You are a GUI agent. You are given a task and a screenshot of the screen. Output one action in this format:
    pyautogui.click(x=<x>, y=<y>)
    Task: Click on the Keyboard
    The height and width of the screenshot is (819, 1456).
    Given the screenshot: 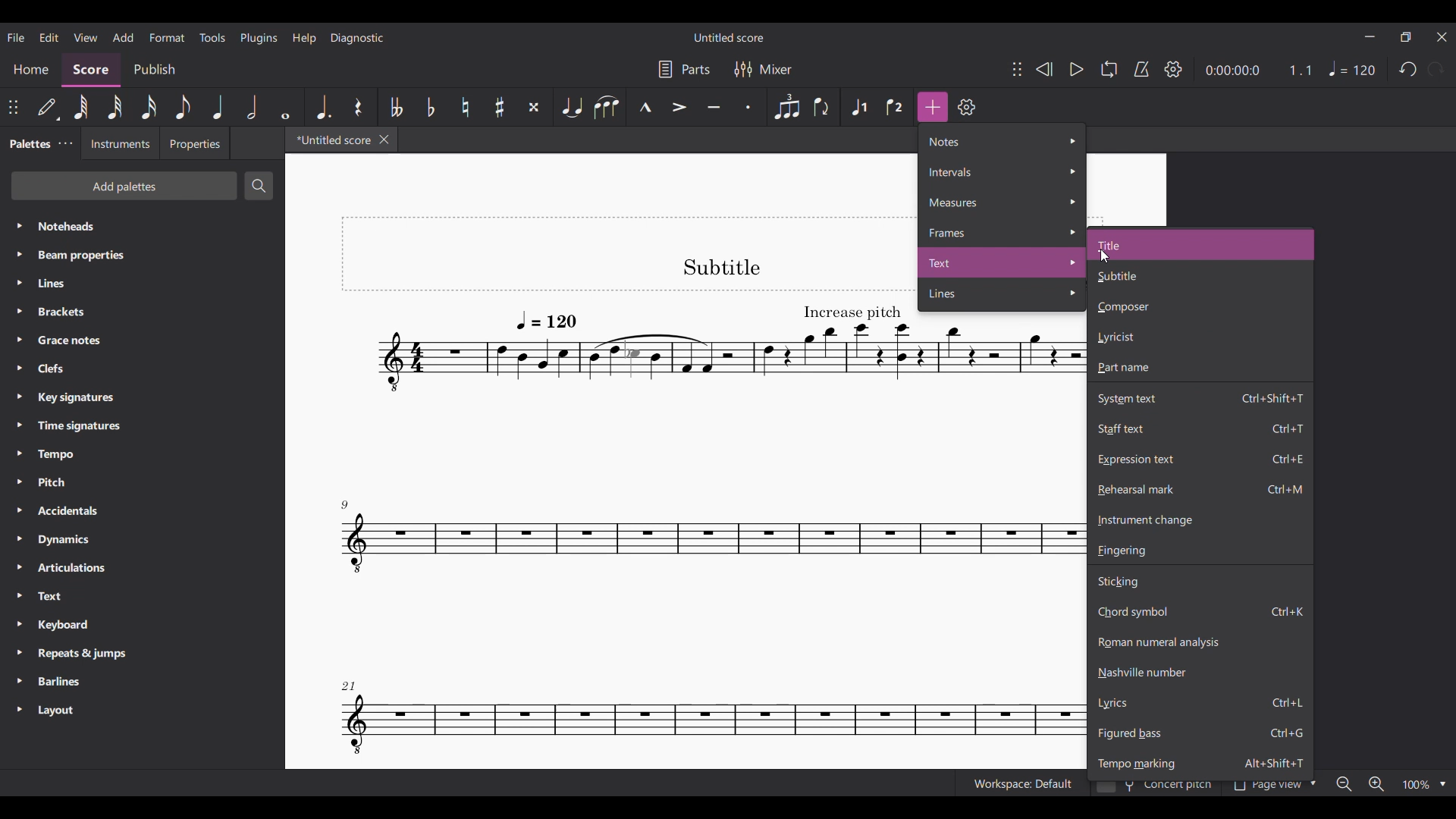 What is the action you would take?
    pyautogui.click(x=143, y=624)
    